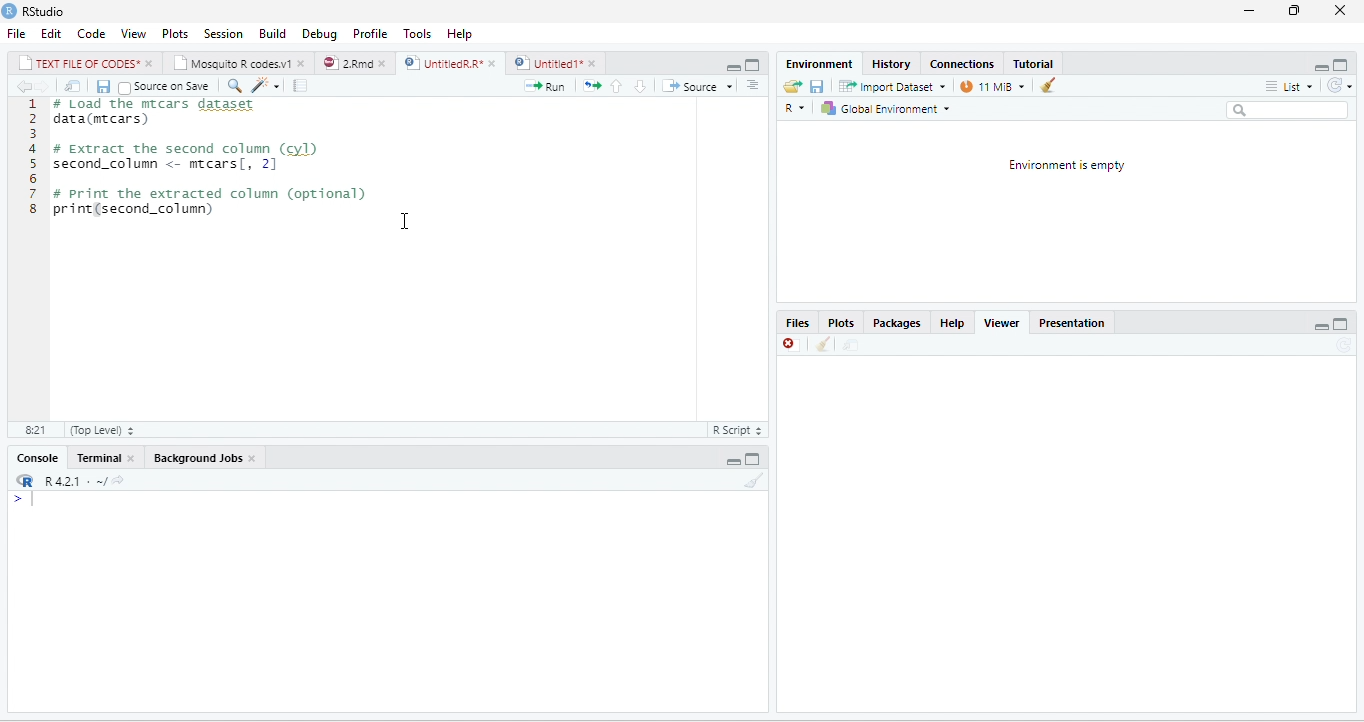 The height and width of the screenshot is (722, 1364). Describe the element at coordinates (101, 85) in the screenshot. I see `save` at that location.